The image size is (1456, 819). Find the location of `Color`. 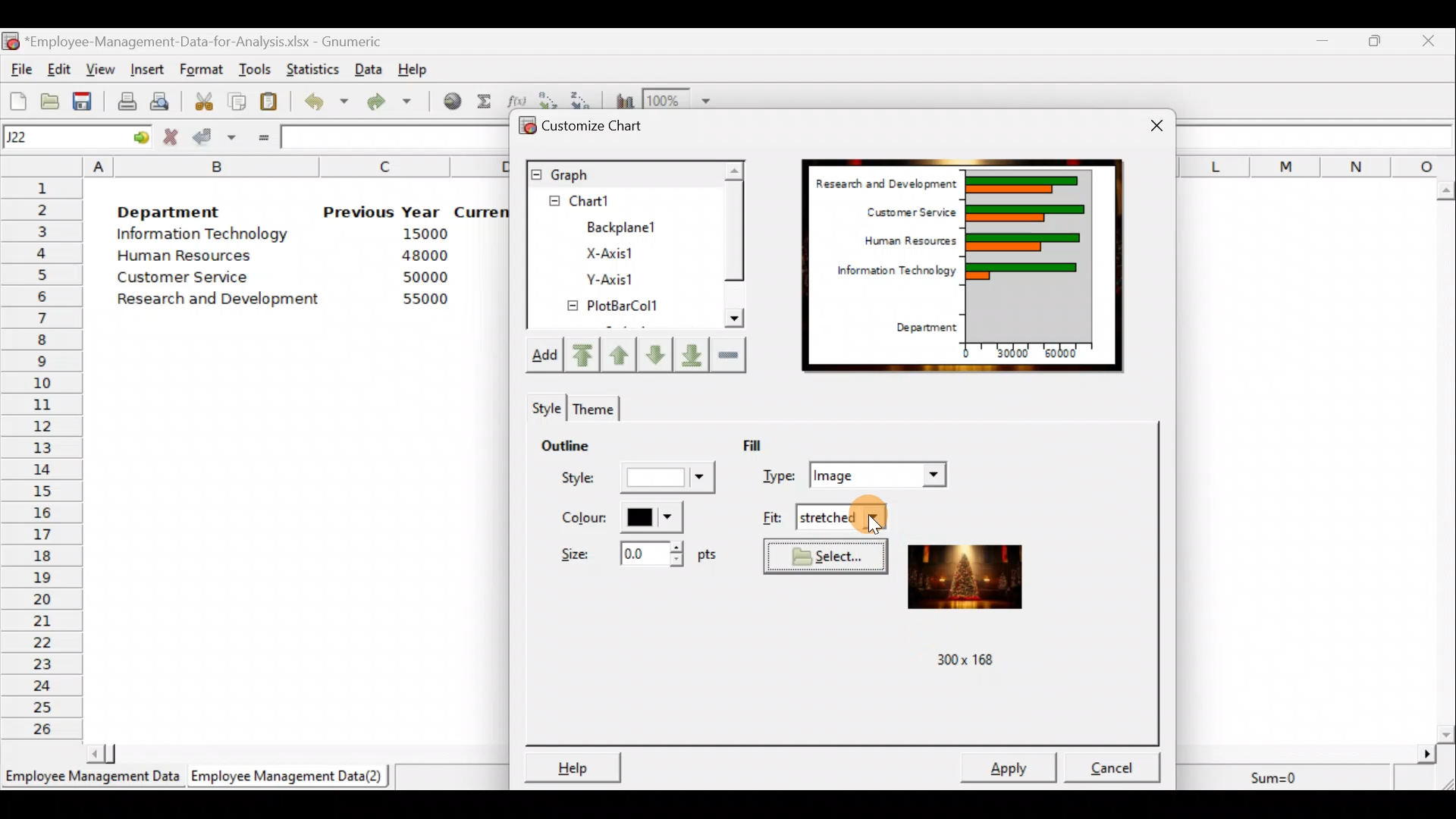

Color is located at coordinates (623, 518).